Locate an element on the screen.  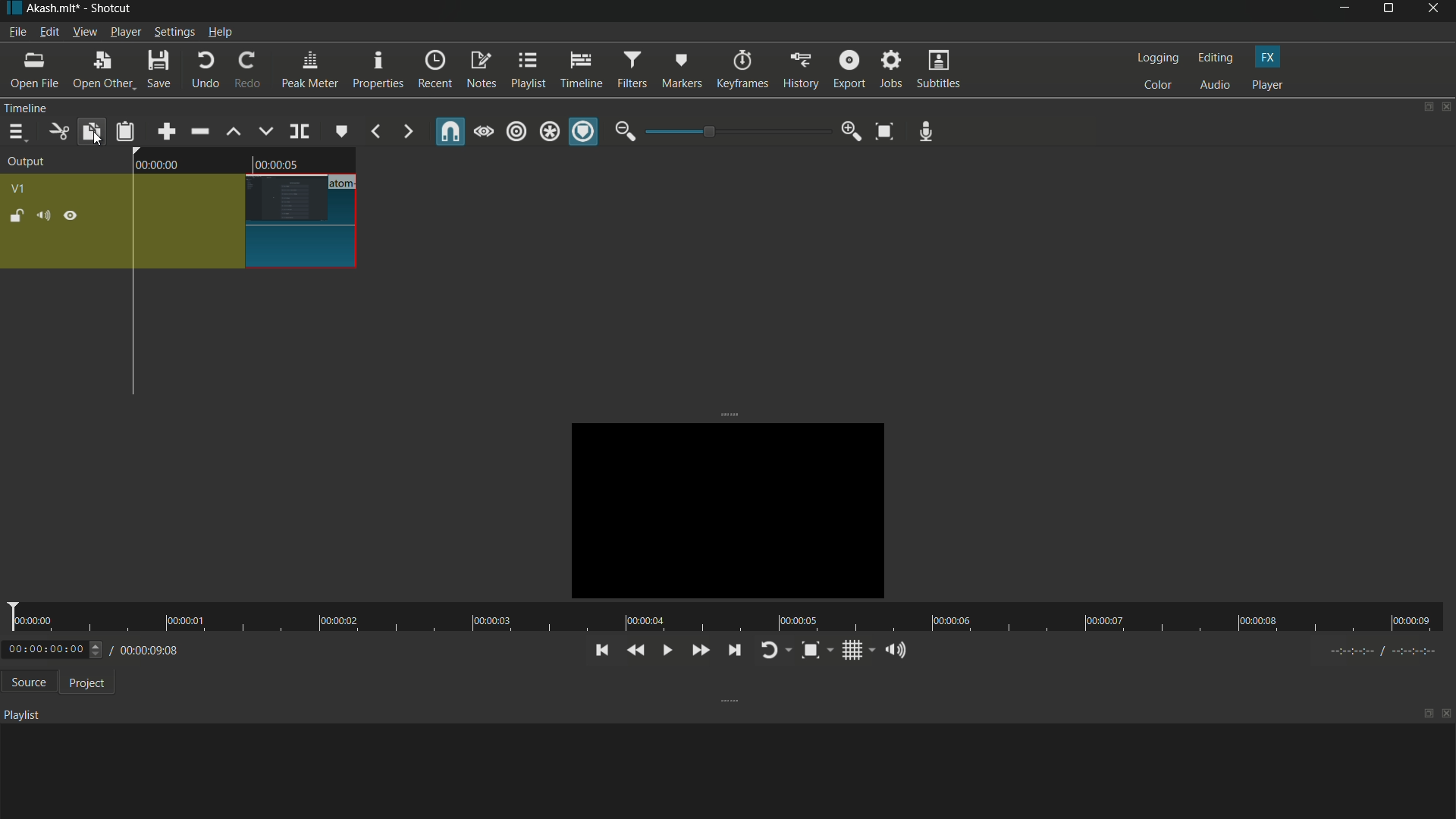
00:00:00 is located at coordinates (168, 165).